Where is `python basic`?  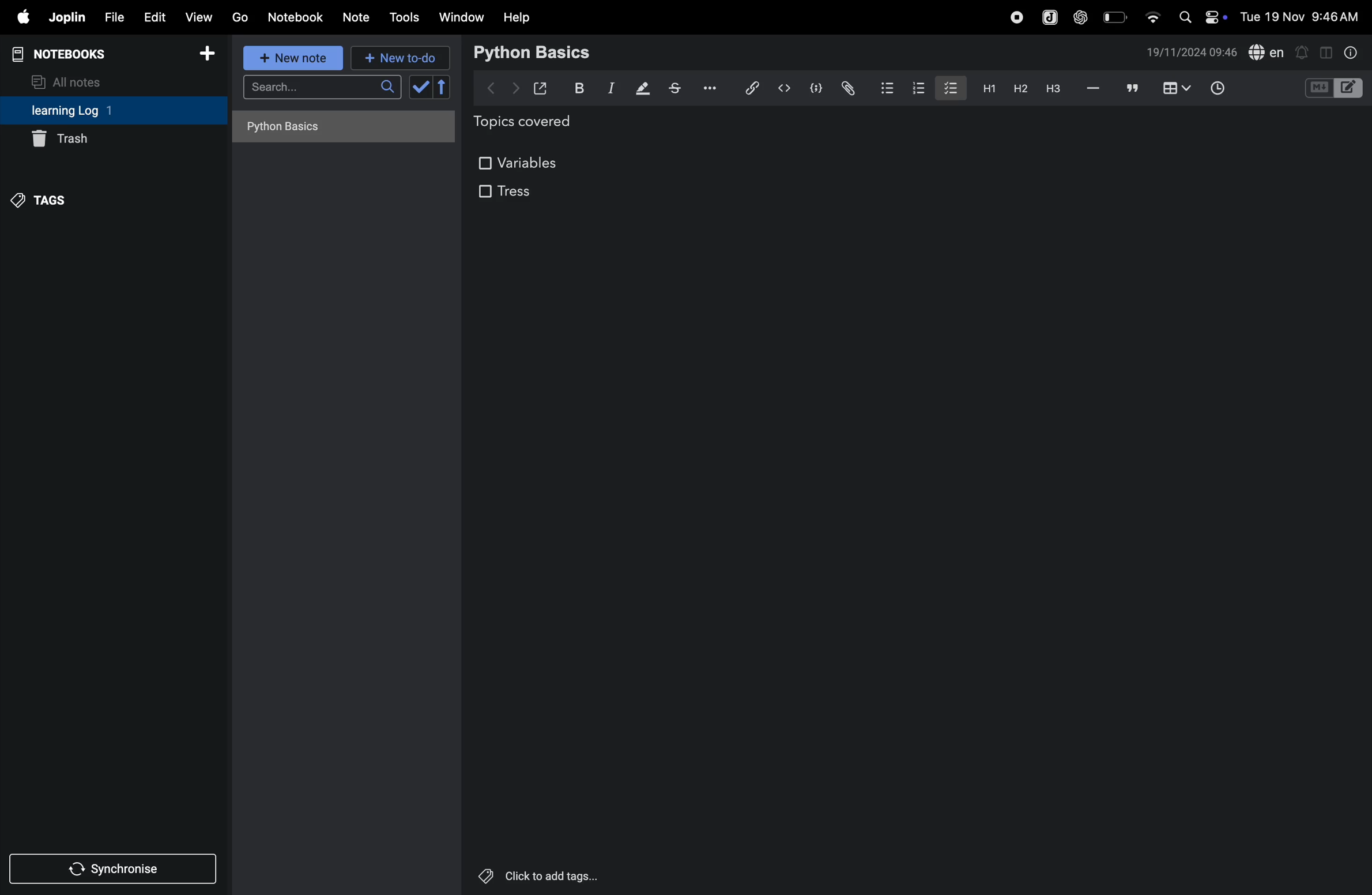 python basic is located at coordinates (534, 51).